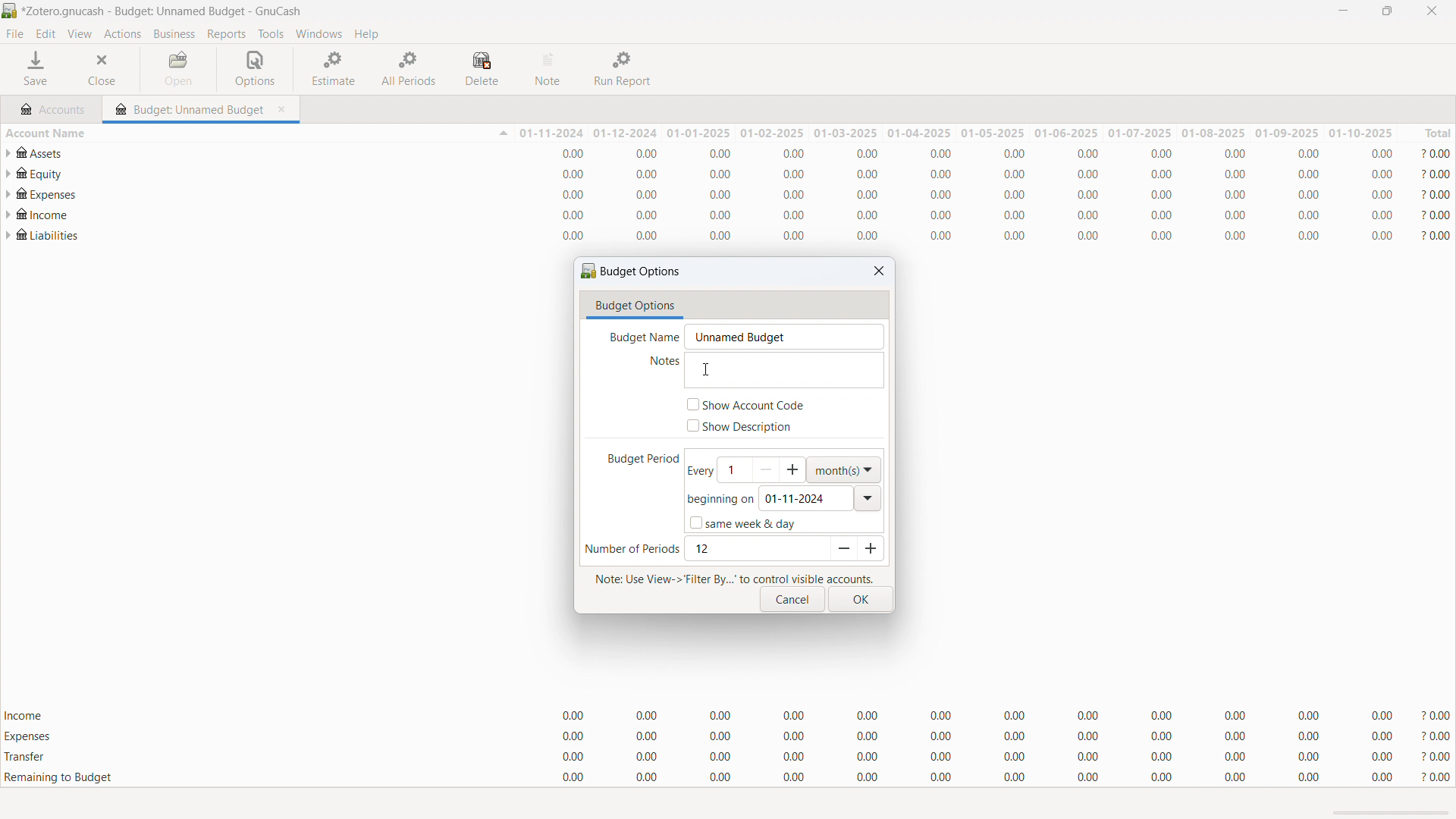 The height and width of the screenshot is (819, 1456). Describe the element at coordinates (635, 461) in the screenshot. I see `budget period` at that location.